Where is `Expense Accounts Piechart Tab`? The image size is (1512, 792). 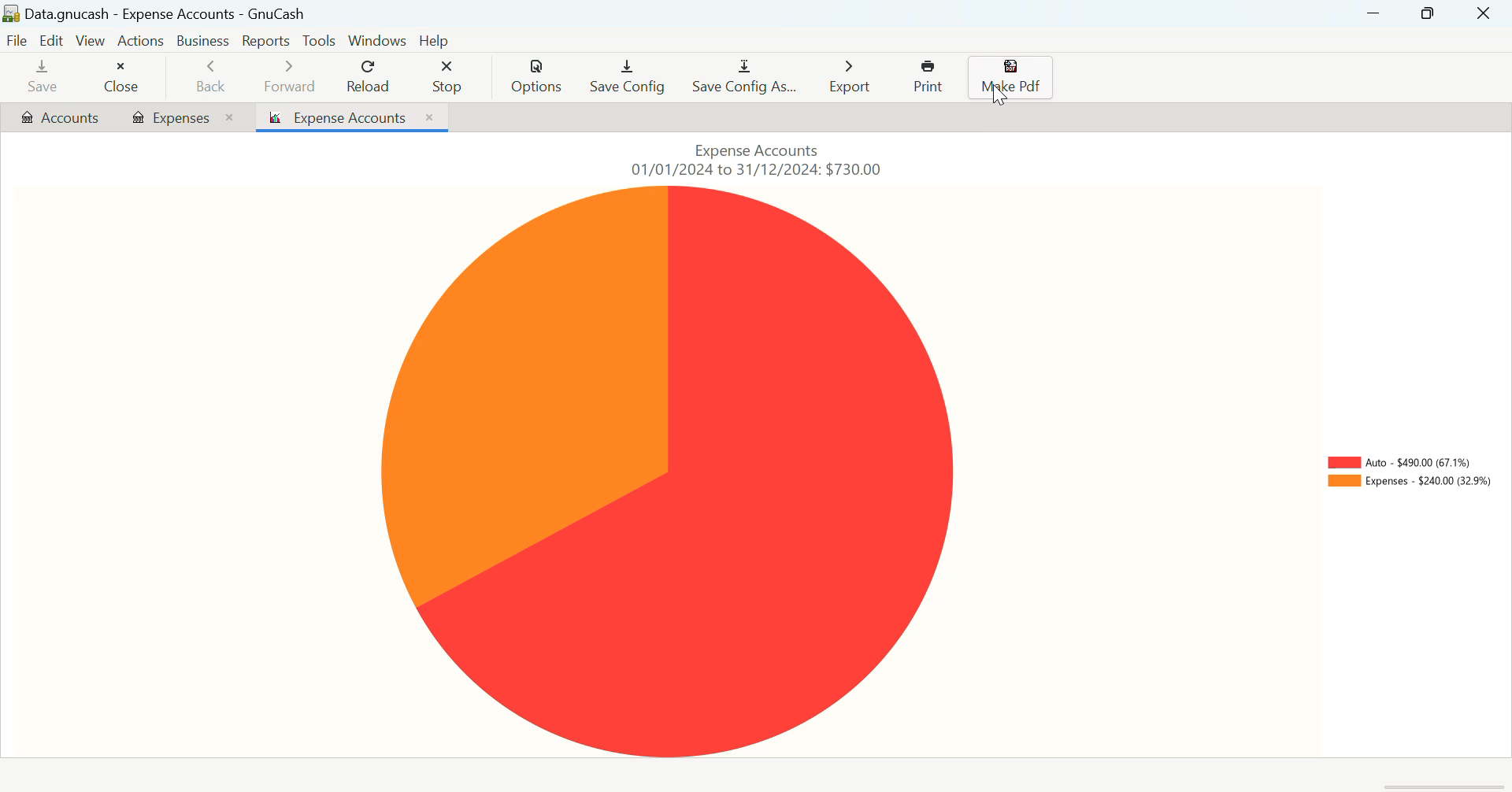
Expense Accounts Piechart Tab is located at coordinates (353, 117).